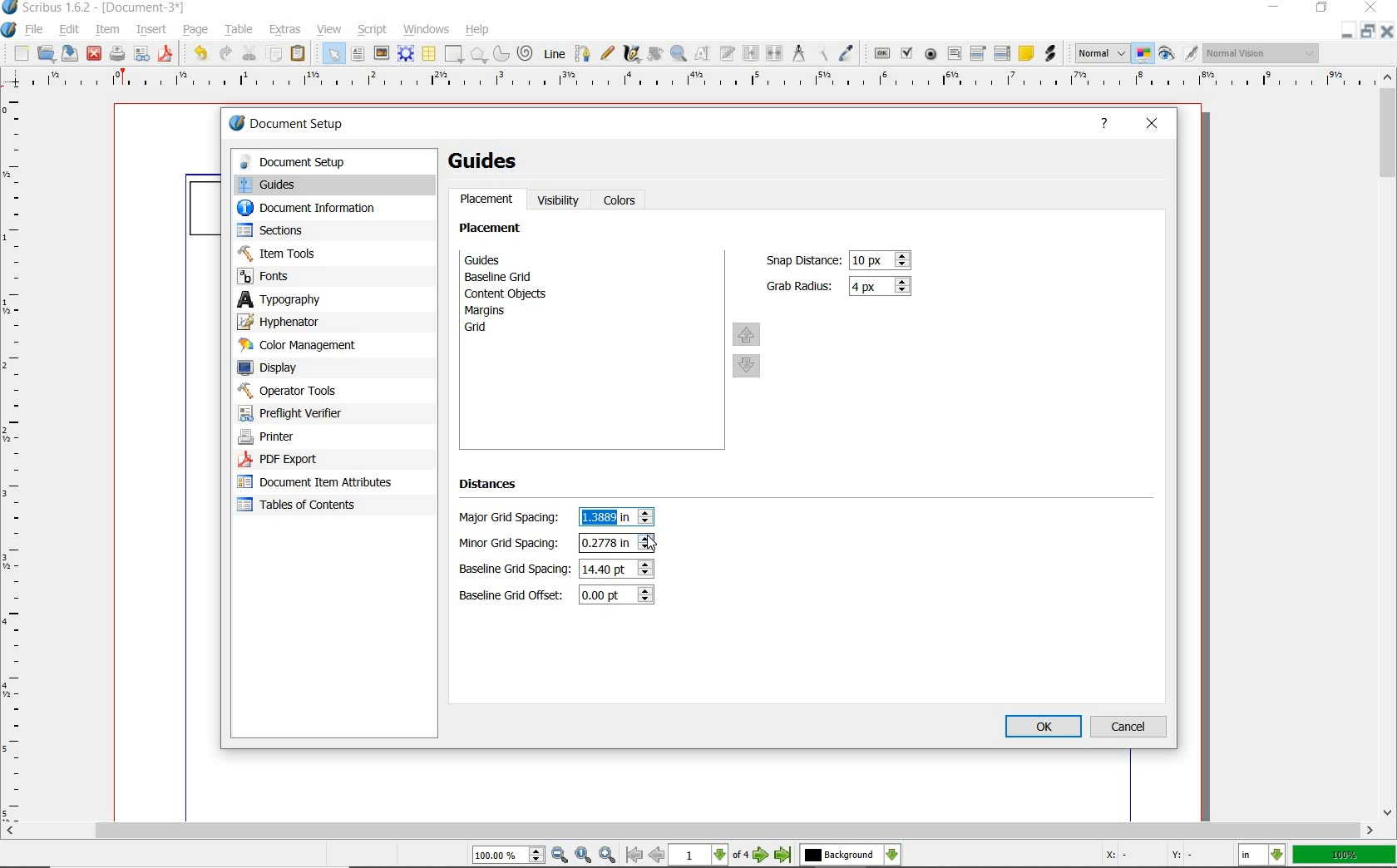 This screenshot has height=868, width=1397. Describe the element at coordinates (607, 856) in the screenshot. I see `zoom in` at that location.